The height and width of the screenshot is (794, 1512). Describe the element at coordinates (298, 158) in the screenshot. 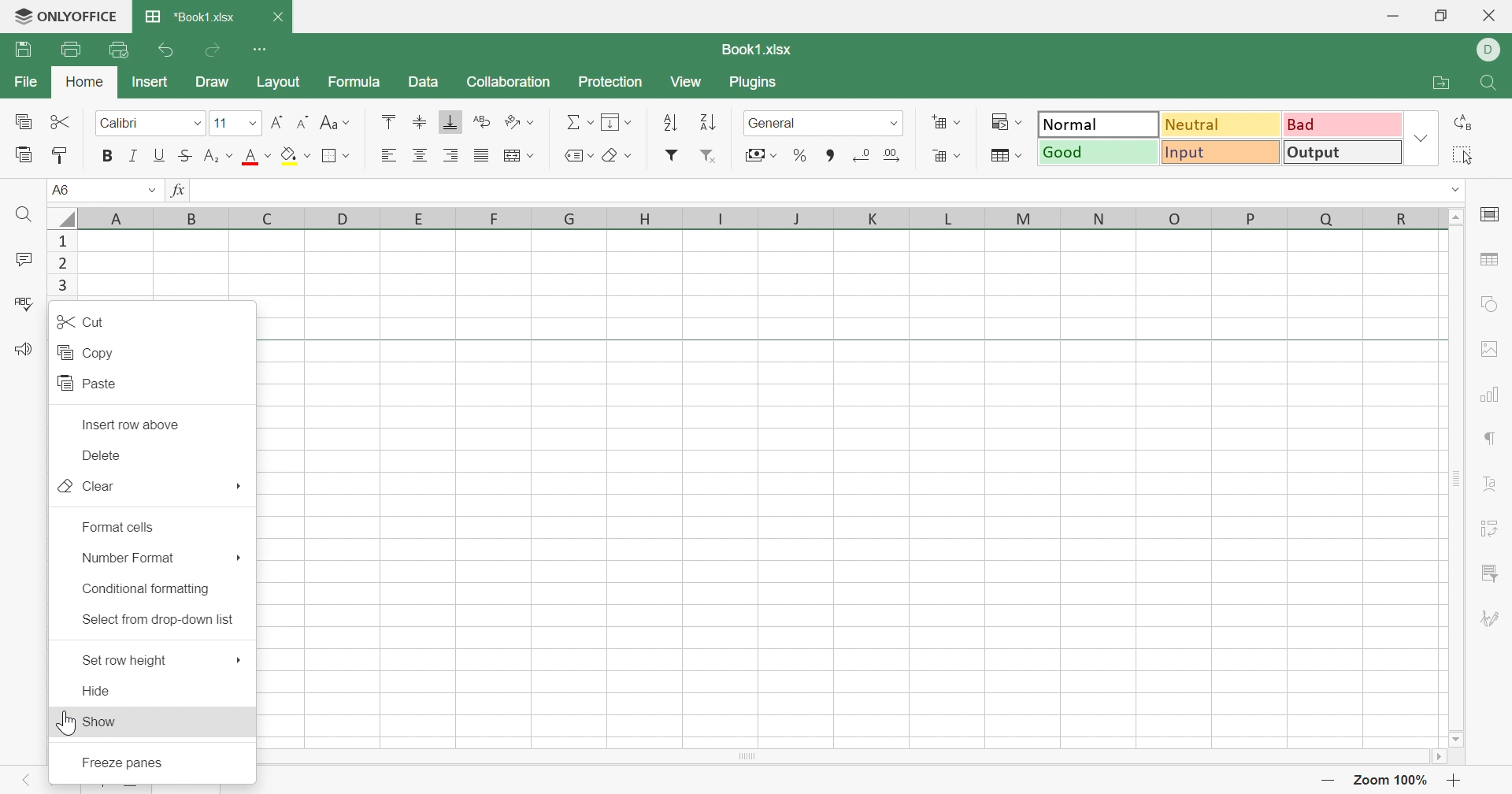

I see `Fill color` at that location.